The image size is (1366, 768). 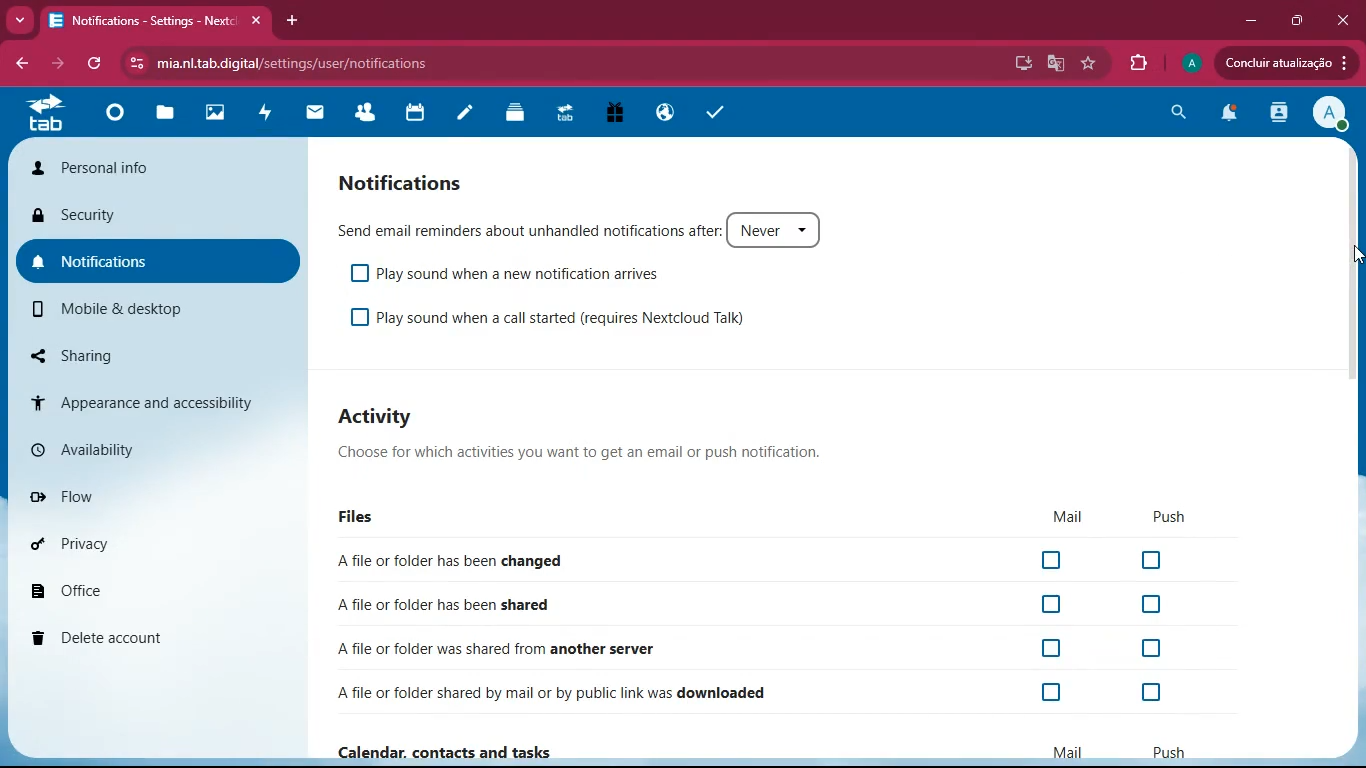 What do you see at coordinates (20, 66) in the screenshot?
I see `bacj` at bounding box center [20, 66].